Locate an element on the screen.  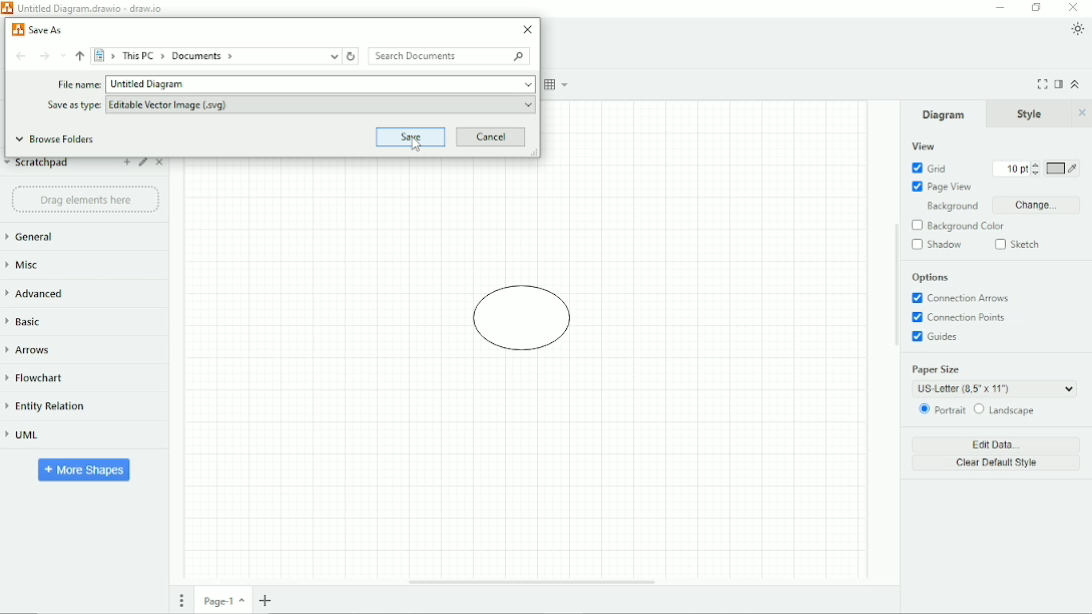
More Shapes is located at coordinates (85, 469).